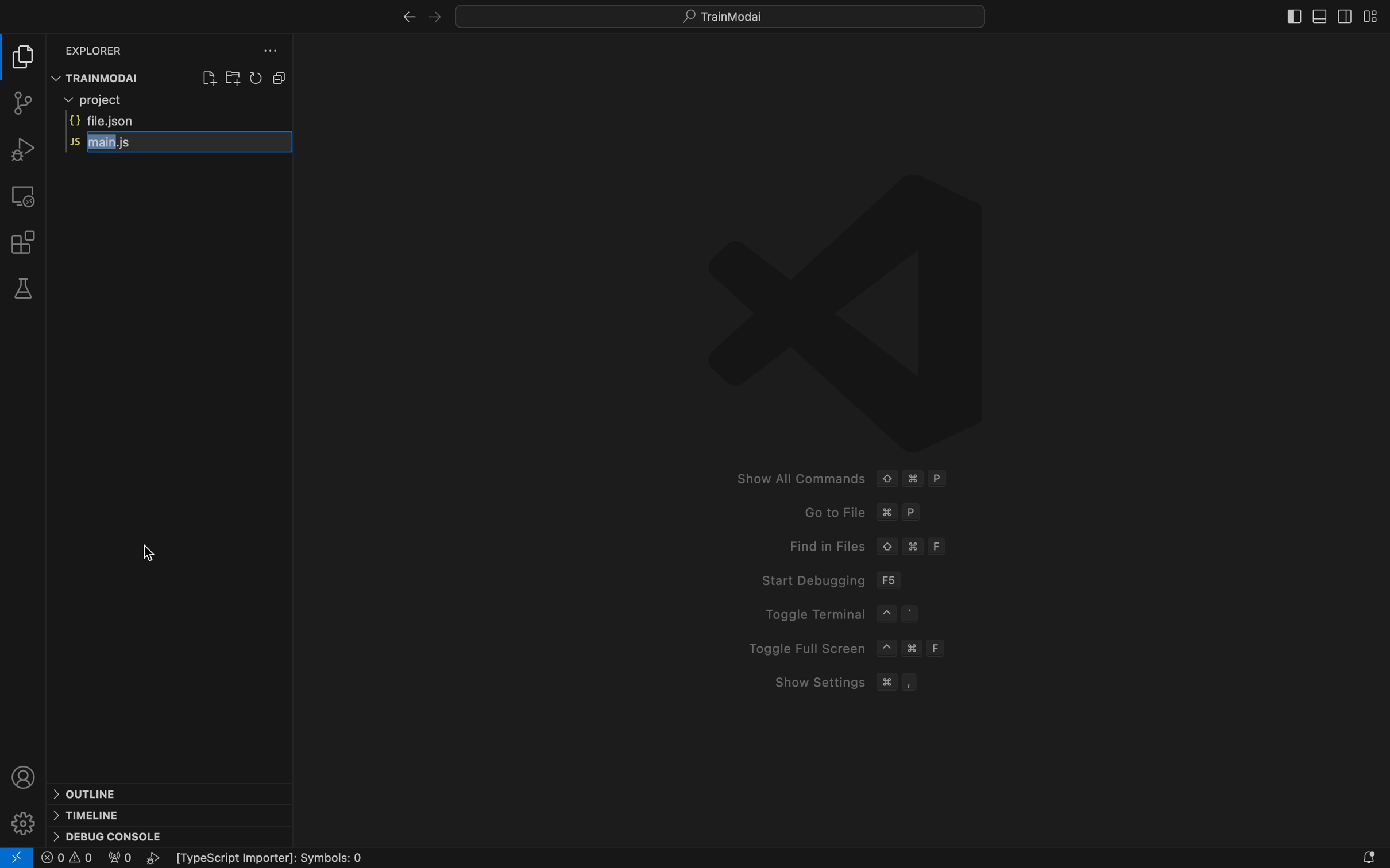 This screenshot has width=1390, height=868. What do you see at coordinates (25, 57) in the screenshot?
I see `file explore` at bounding box center [25, 57].